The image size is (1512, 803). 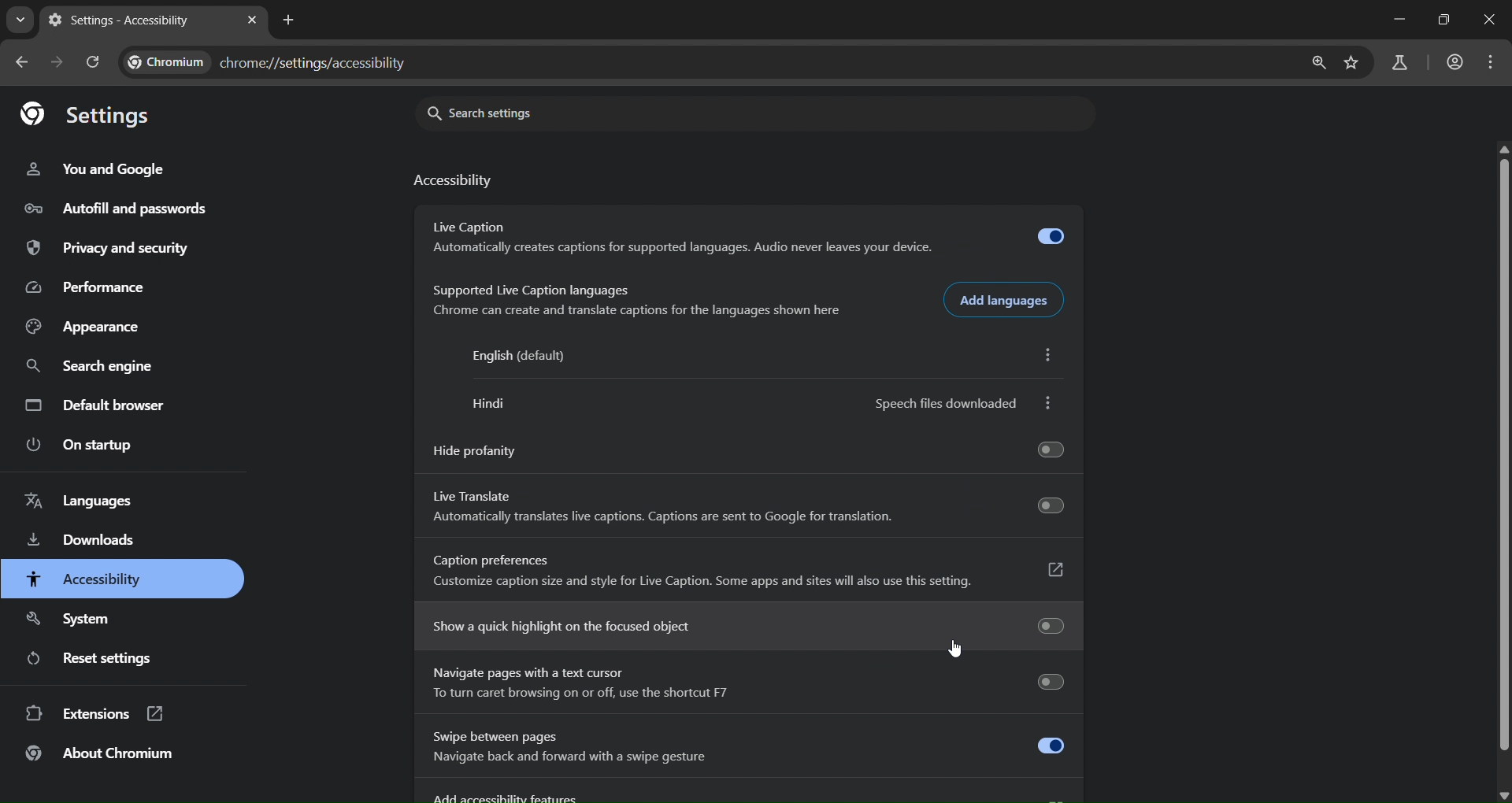 I want to click on Supported Live Caption languages
Chrome can create and translate captions for the languages shown here, so click(x=637, y=300).